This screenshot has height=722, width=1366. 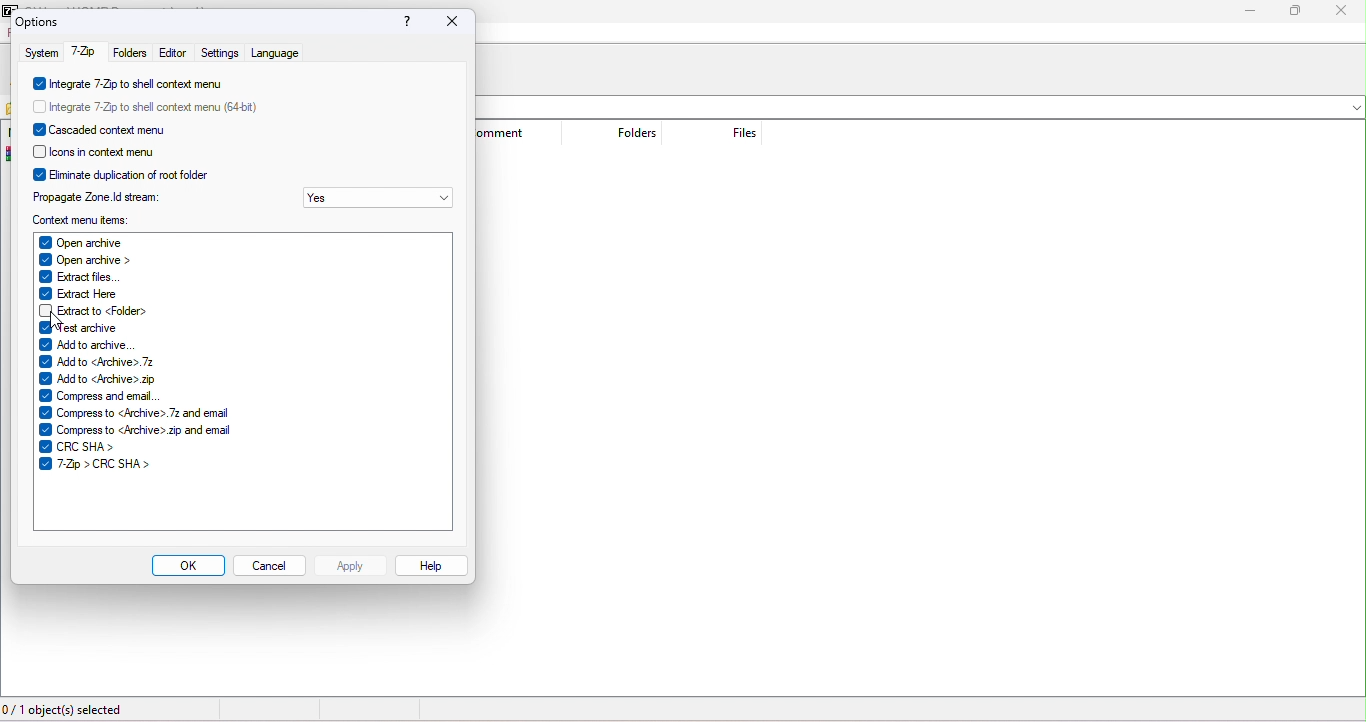 What do you see at coordinates (107, 397) in the screenshot?
I see `compress and email` at bounding box center [107, 397].